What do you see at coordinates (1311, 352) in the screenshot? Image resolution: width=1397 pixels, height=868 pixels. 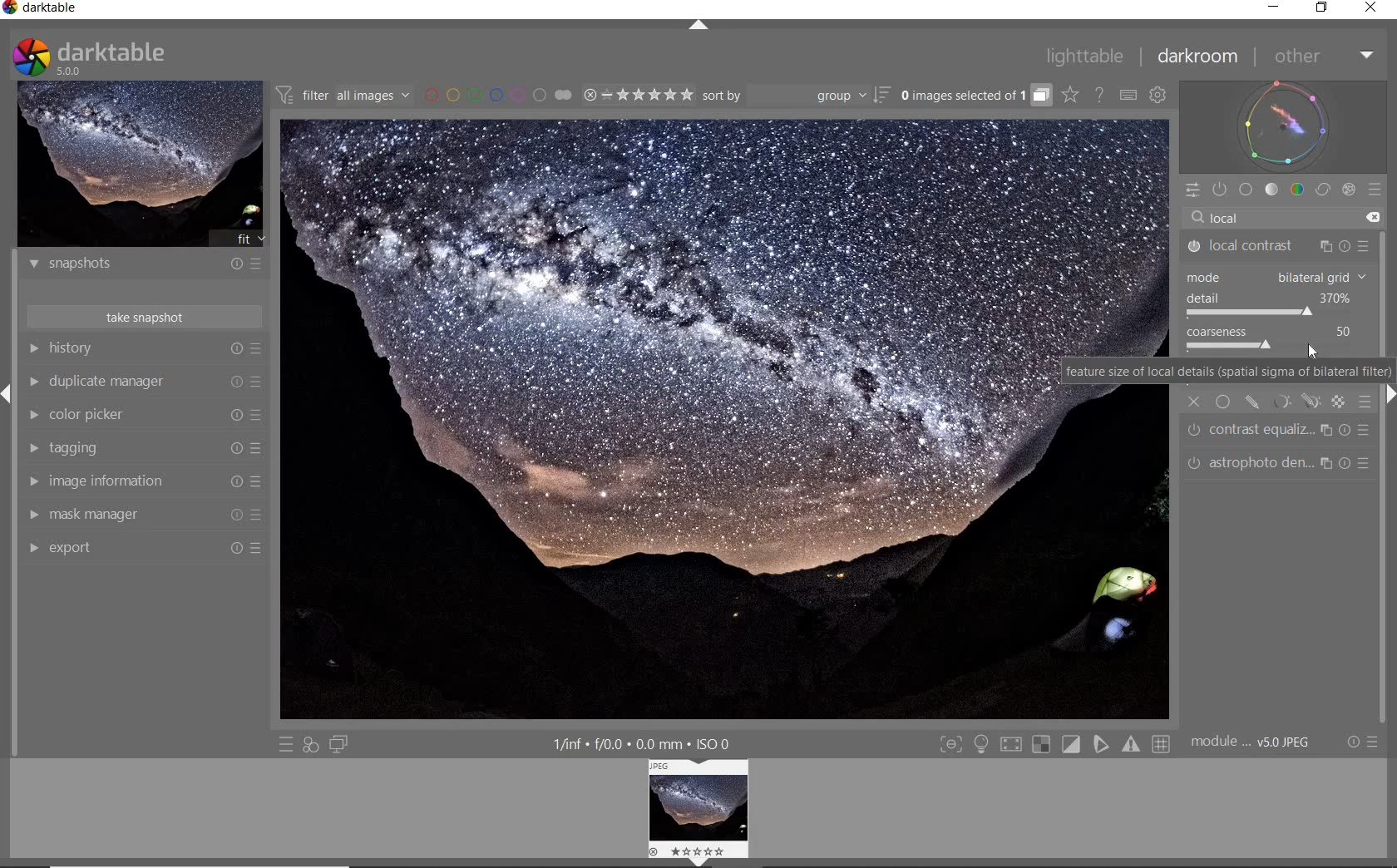 I see `cursor` at bounding box center [1311, 352].